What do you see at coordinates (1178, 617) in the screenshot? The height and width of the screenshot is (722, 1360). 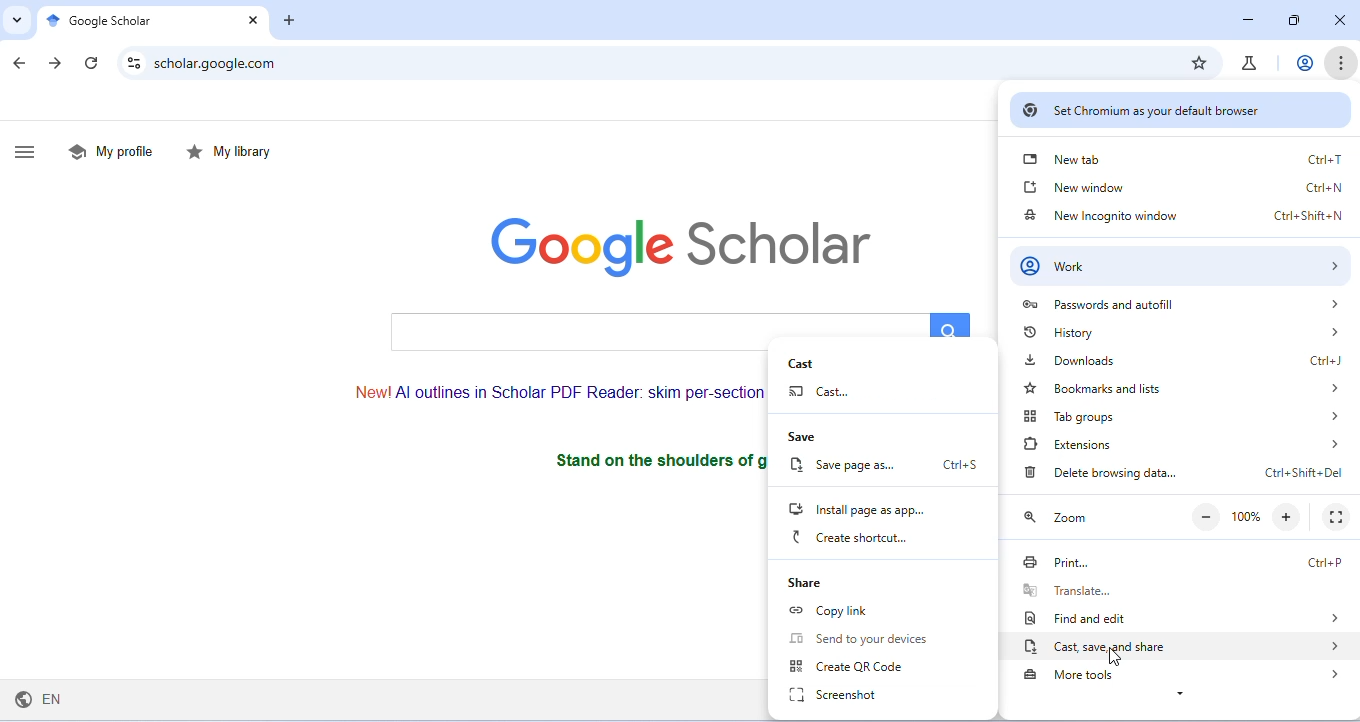 I see `find or edit` at bounding box center [1178, 617].